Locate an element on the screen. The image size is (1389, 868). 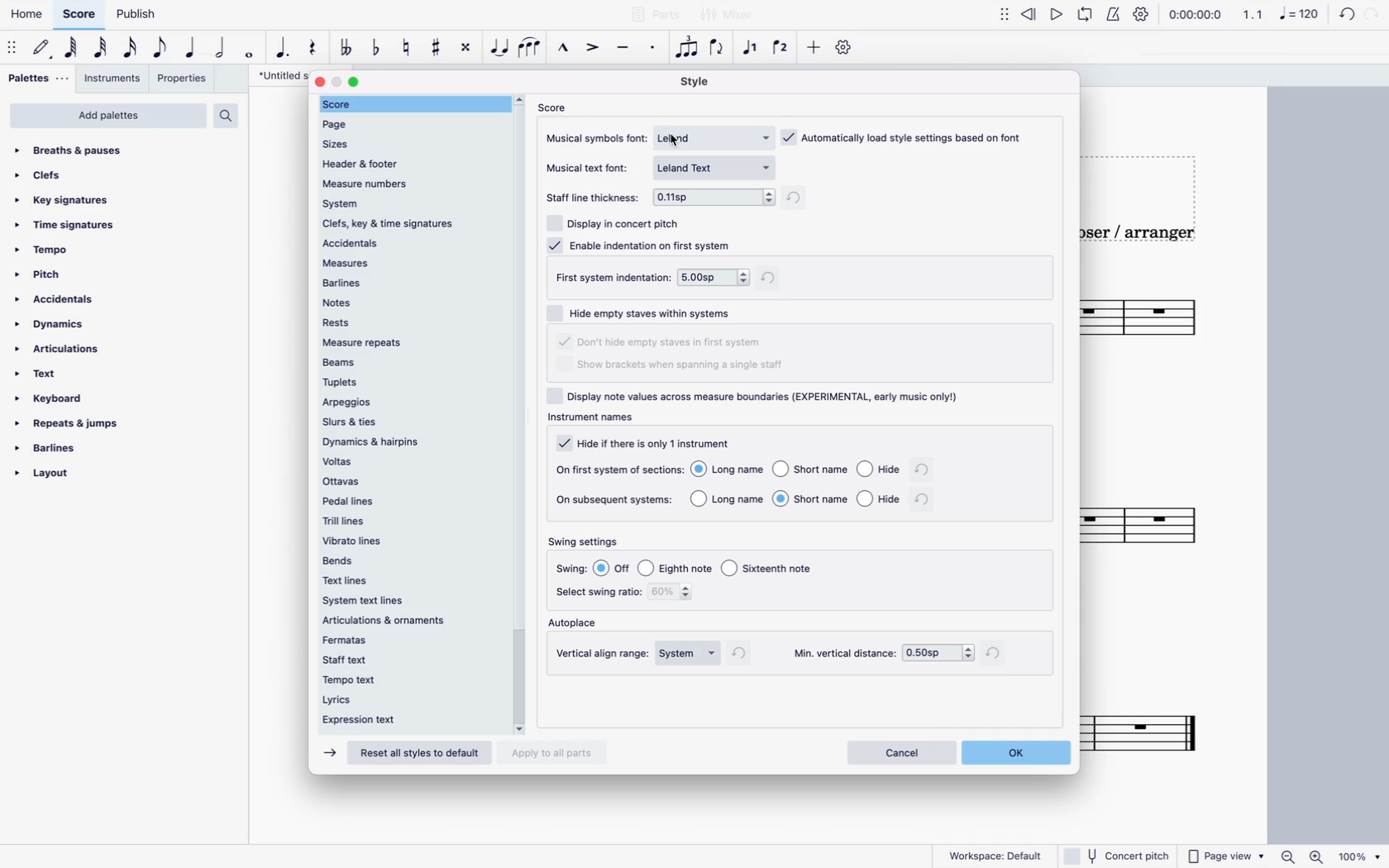
slur is located at coordinates (531, 50).